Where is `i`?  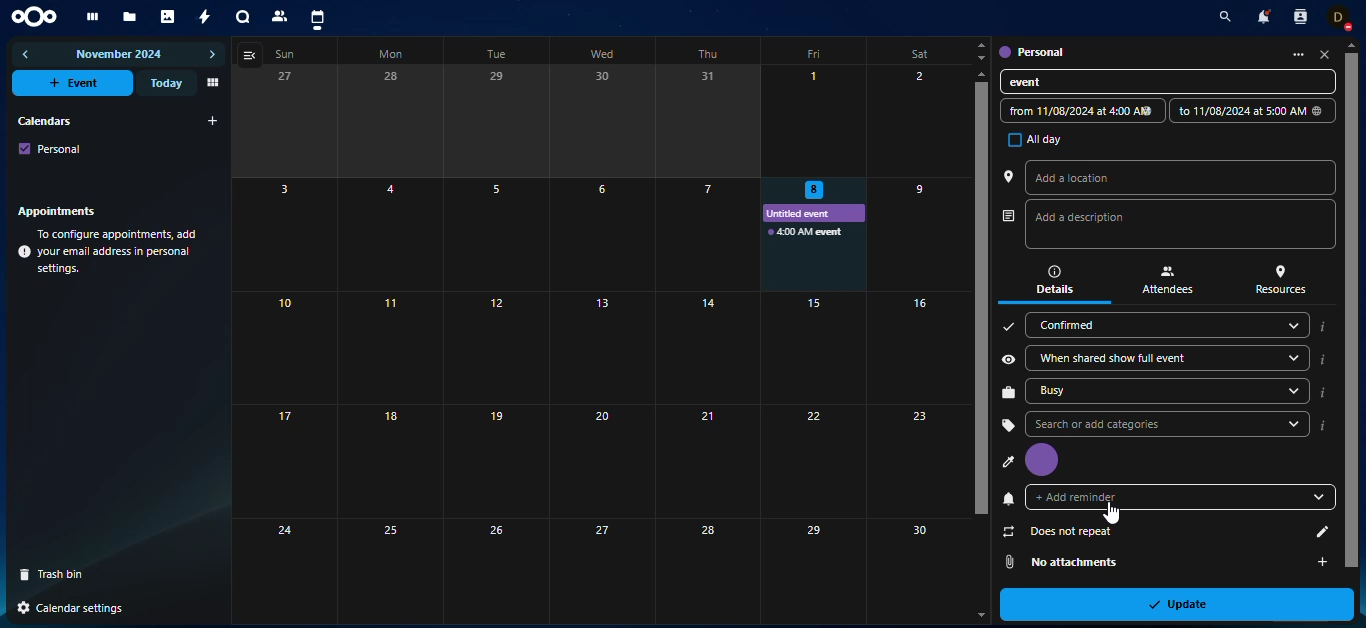 i is located at coordinates (1321, 326).